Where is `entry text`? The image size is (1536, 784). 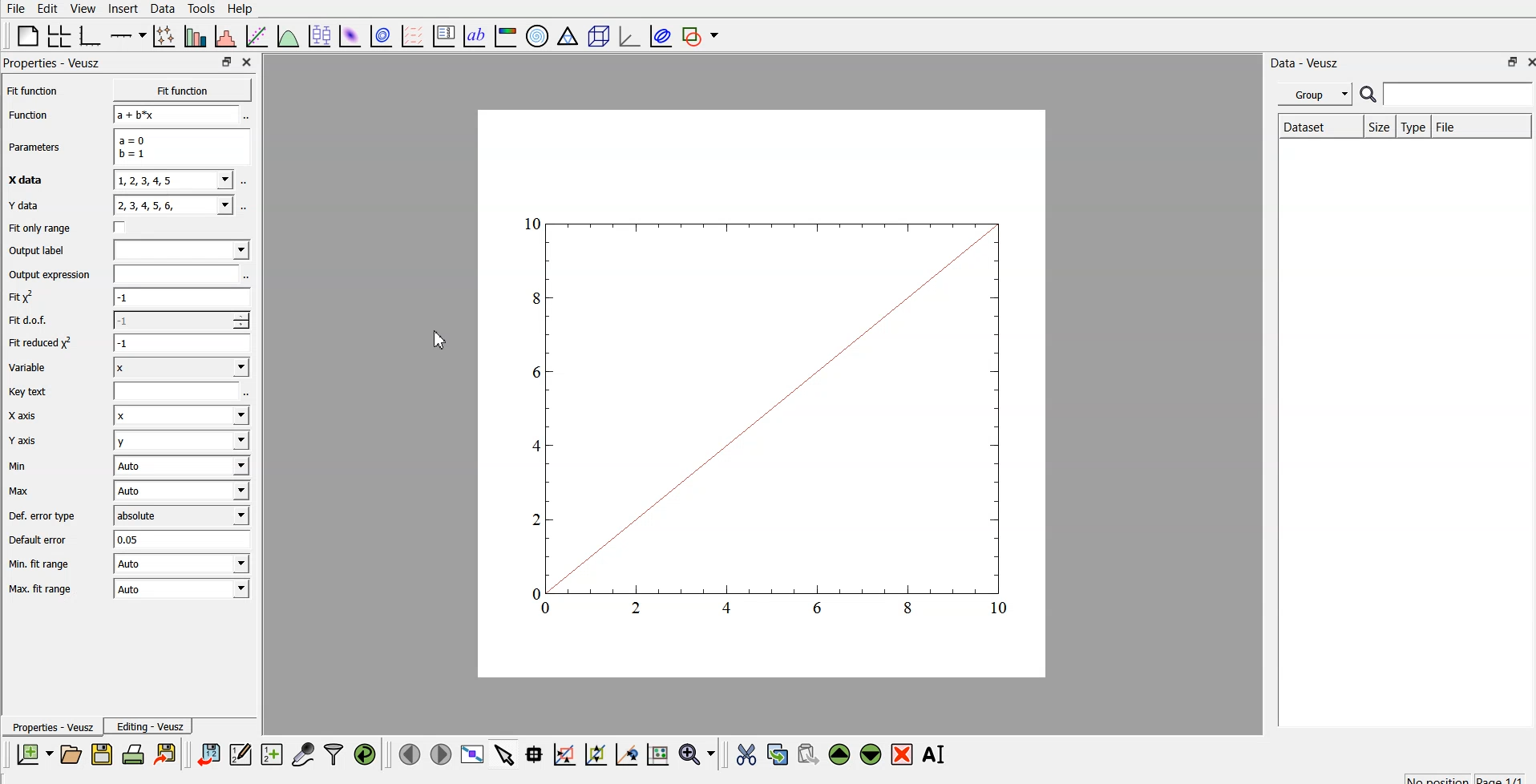 entry text is located at coordinates (182, 394).